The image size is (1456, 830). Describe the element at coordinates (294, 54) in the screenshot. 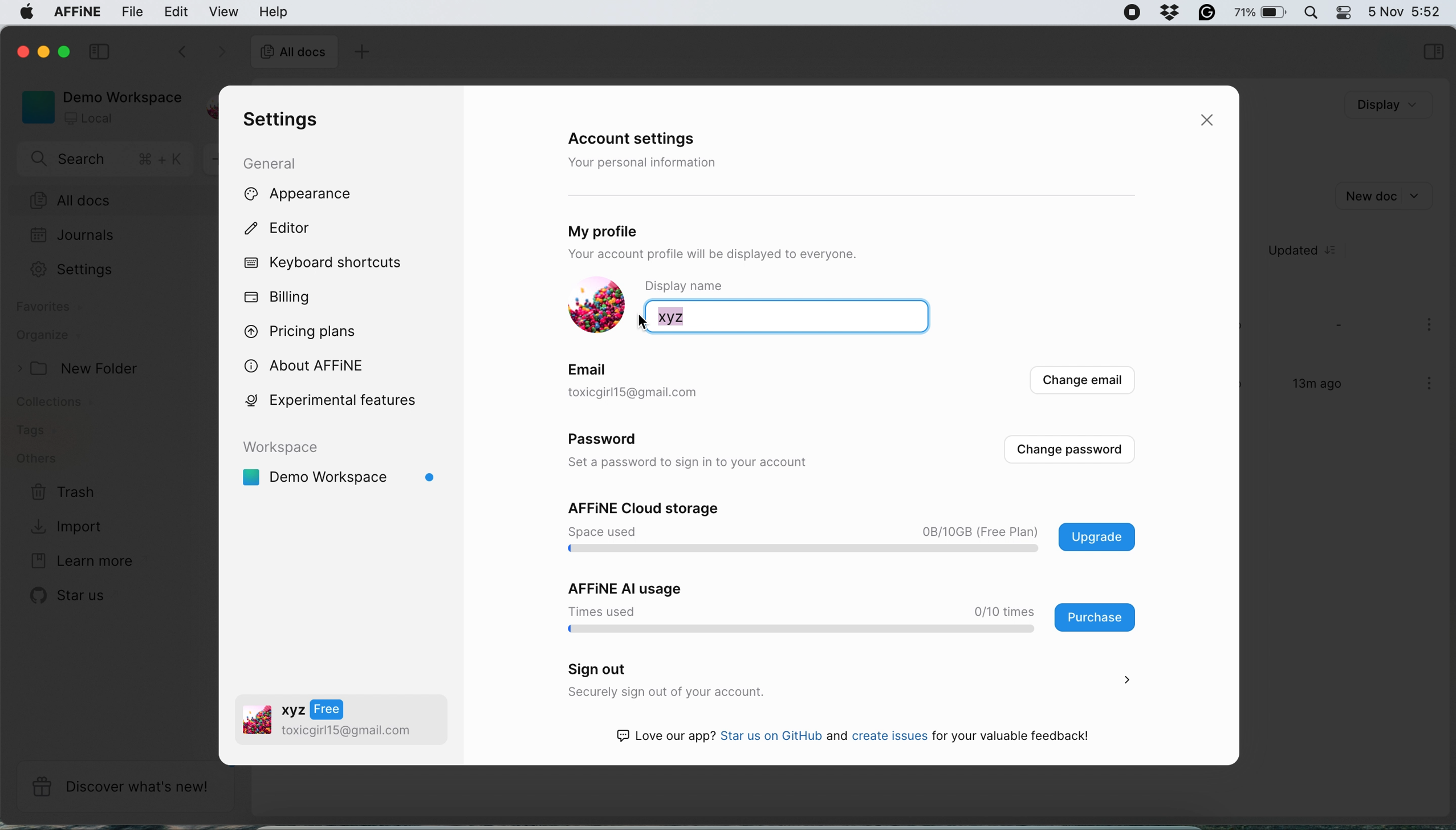

I see `all docs` at that location.